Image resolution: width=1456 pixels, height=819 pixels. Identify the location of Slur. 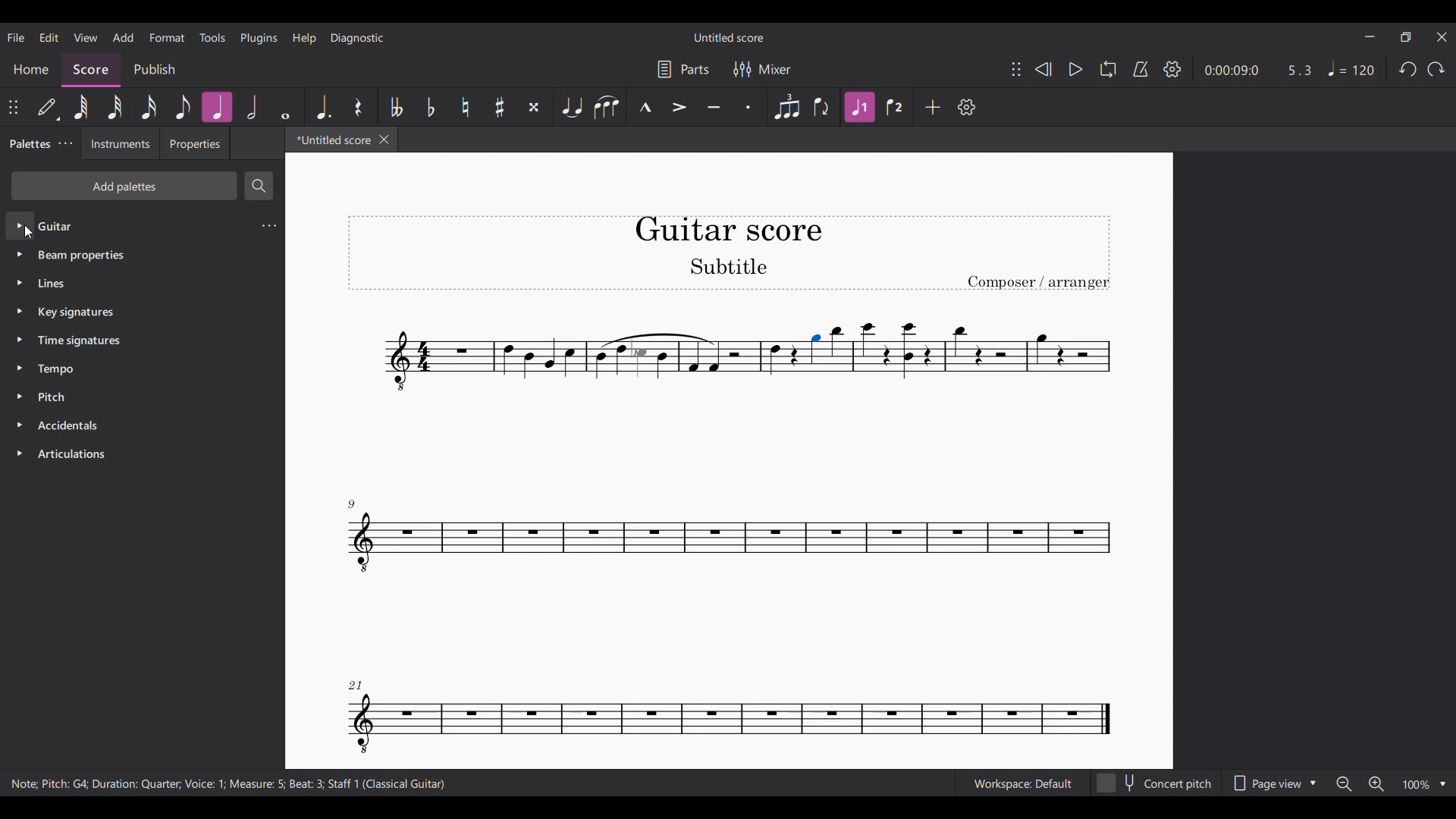
(606, 107).